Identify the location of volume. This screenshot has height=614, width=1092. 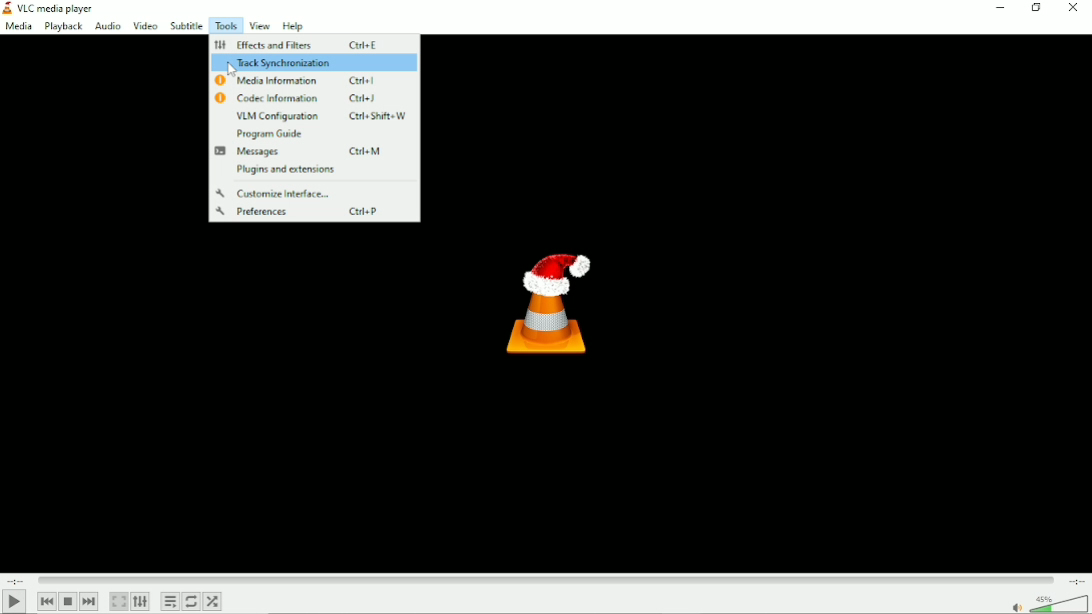
(1048, 604).